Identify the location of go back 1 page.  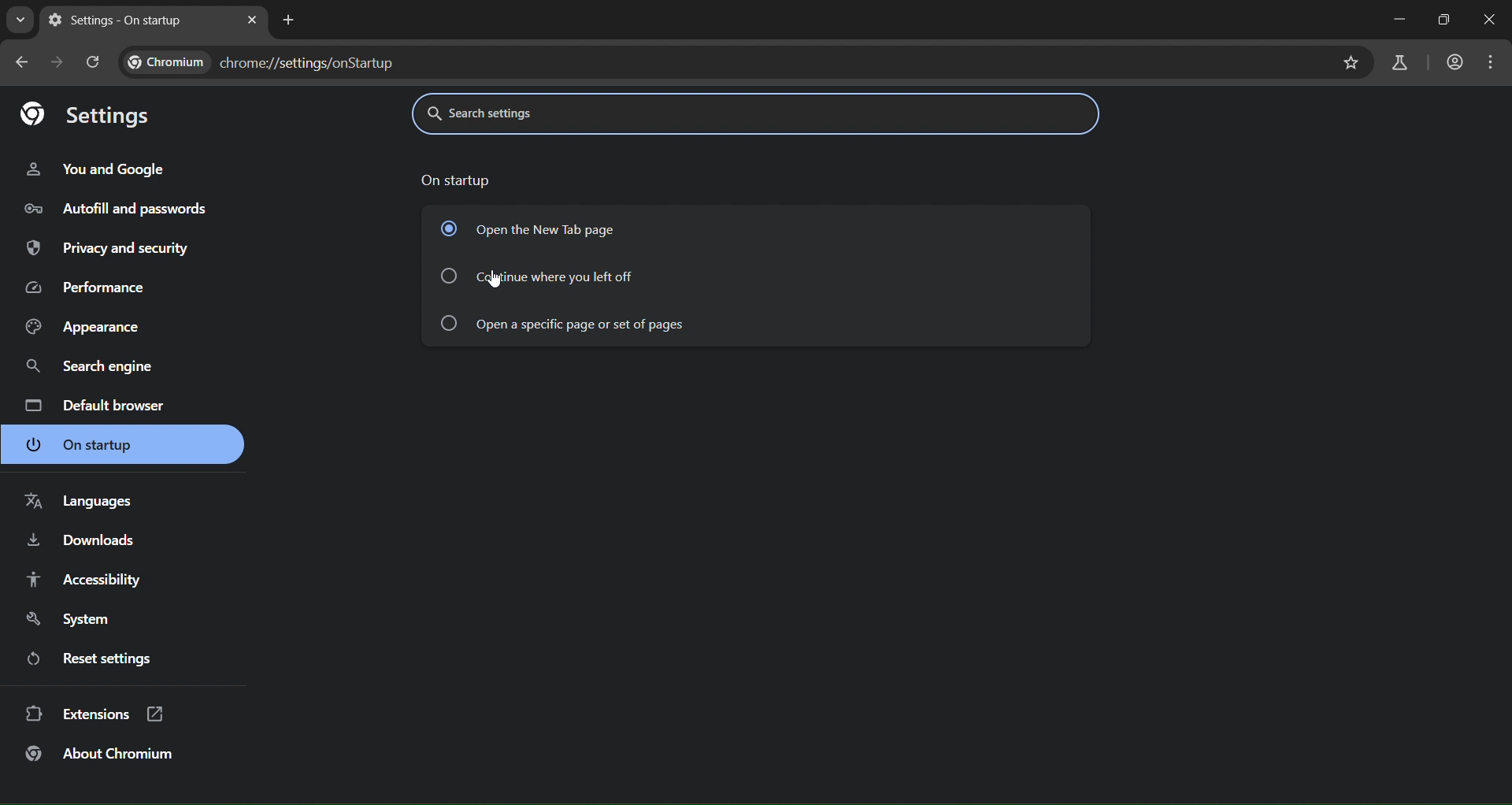
(23, 62).